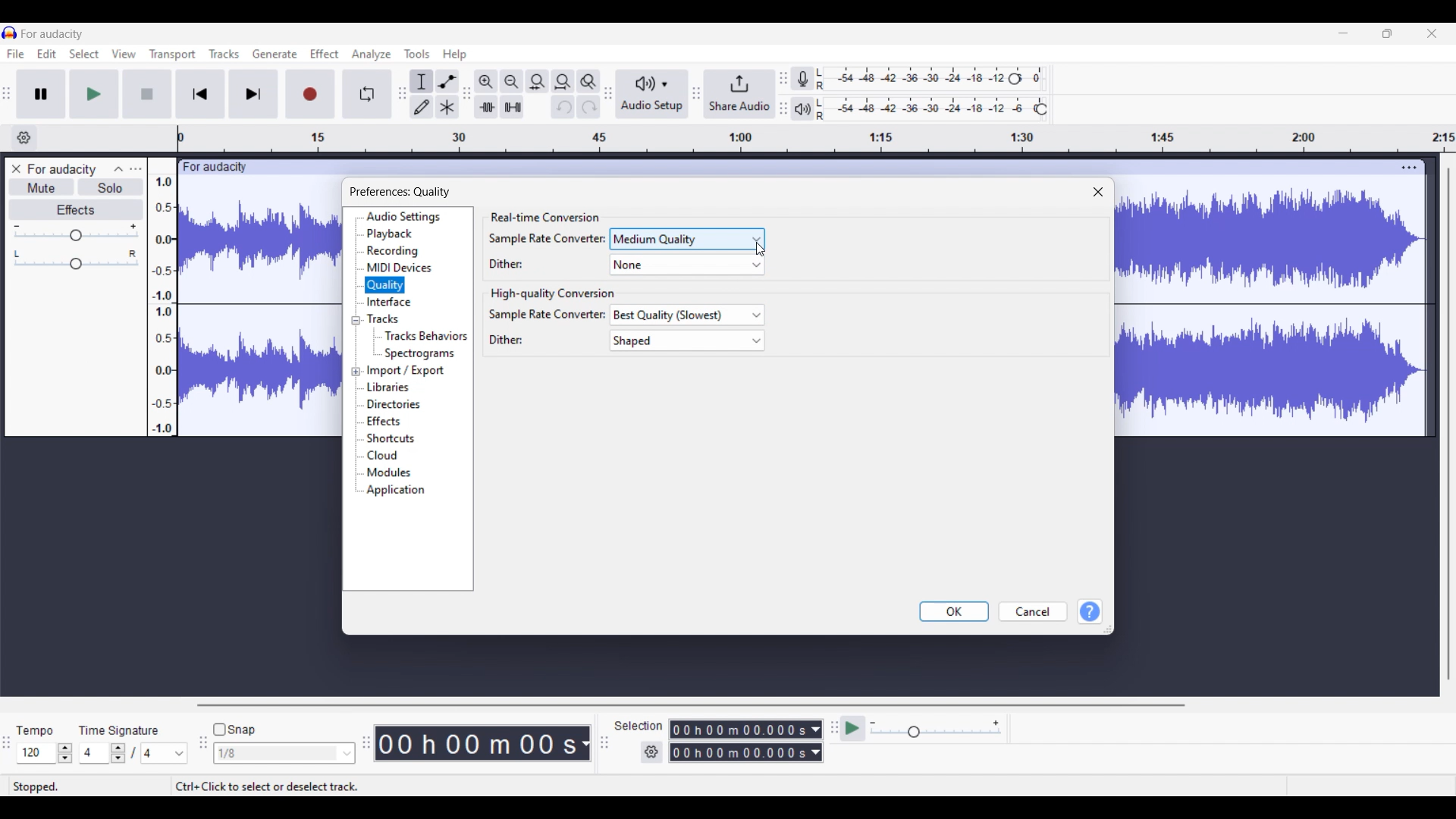 The image size is (1456, 819). Describe the element at coordinates (76, 264) in the screenshot. I see `Header to change pan` at that location.